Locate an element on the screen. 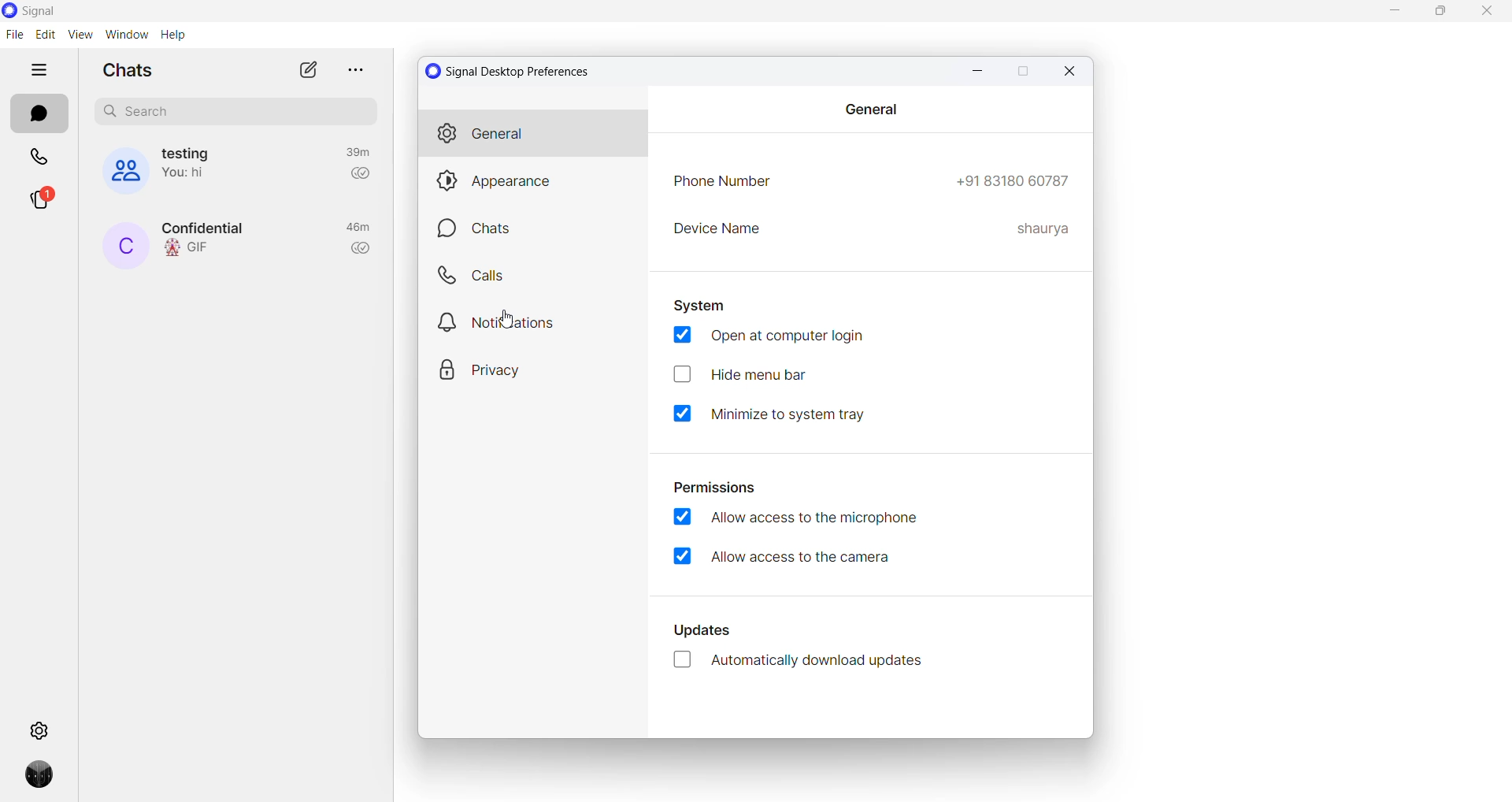  last active time is located at coordinates (355, 152).